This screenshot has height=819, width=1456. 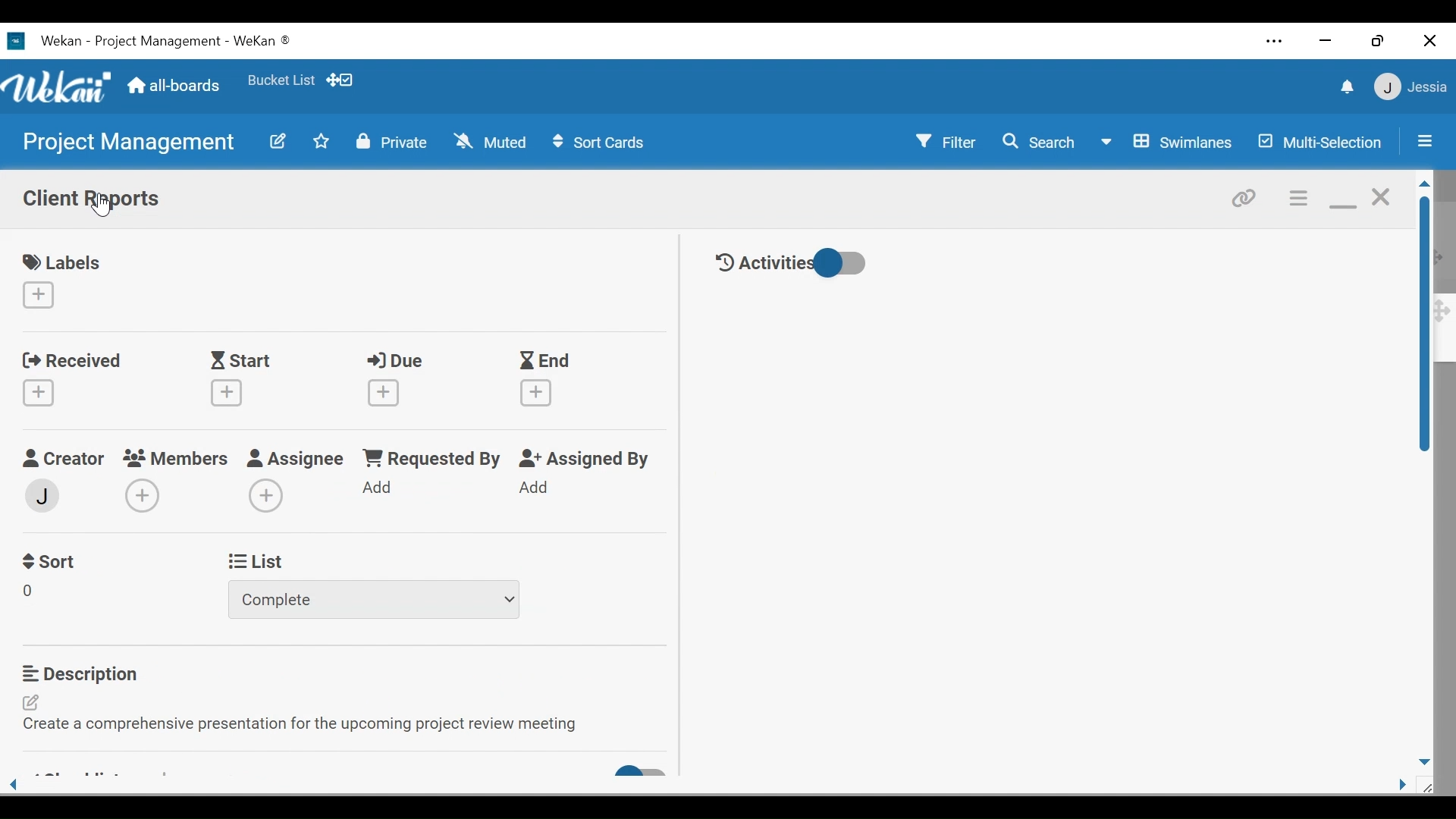 I want to click on Wekan logo, so click(x=58, y=86).